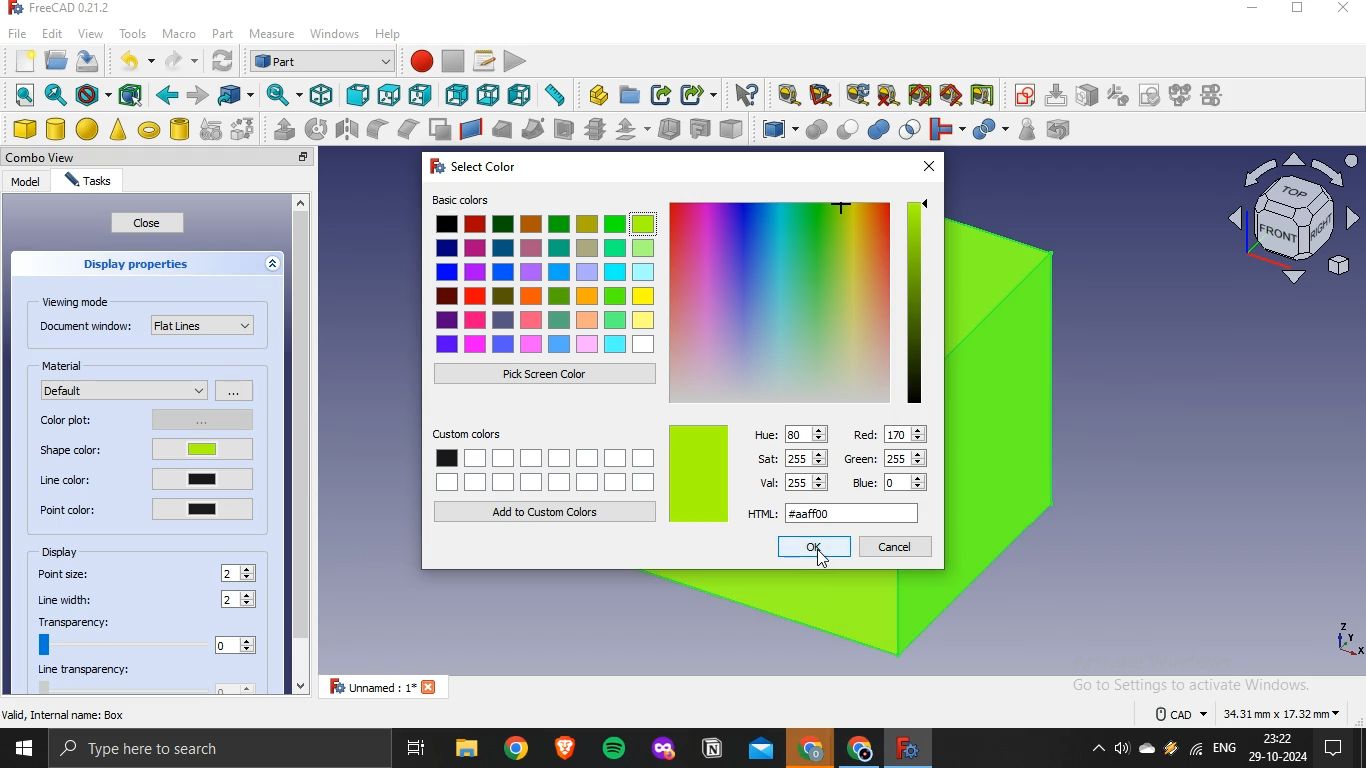 The height and width of the screenshot is (768, 1366). What do you see at coordinates (148, 223) in the screenshot?
I see `close` at bounding box center [148, 223].